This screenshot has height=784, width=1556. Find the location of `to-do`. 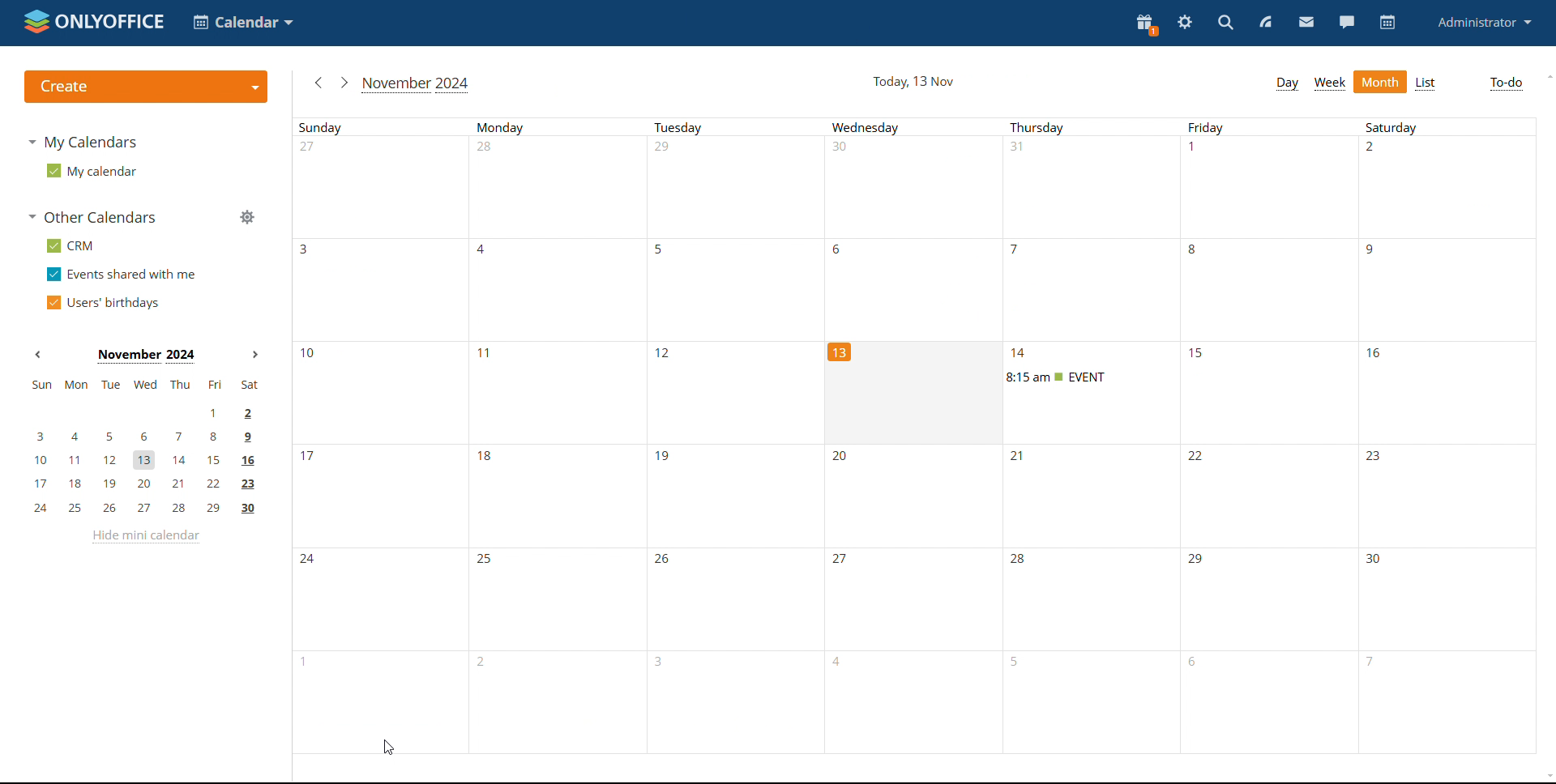

to-do is located at coordinates (1505, 84).